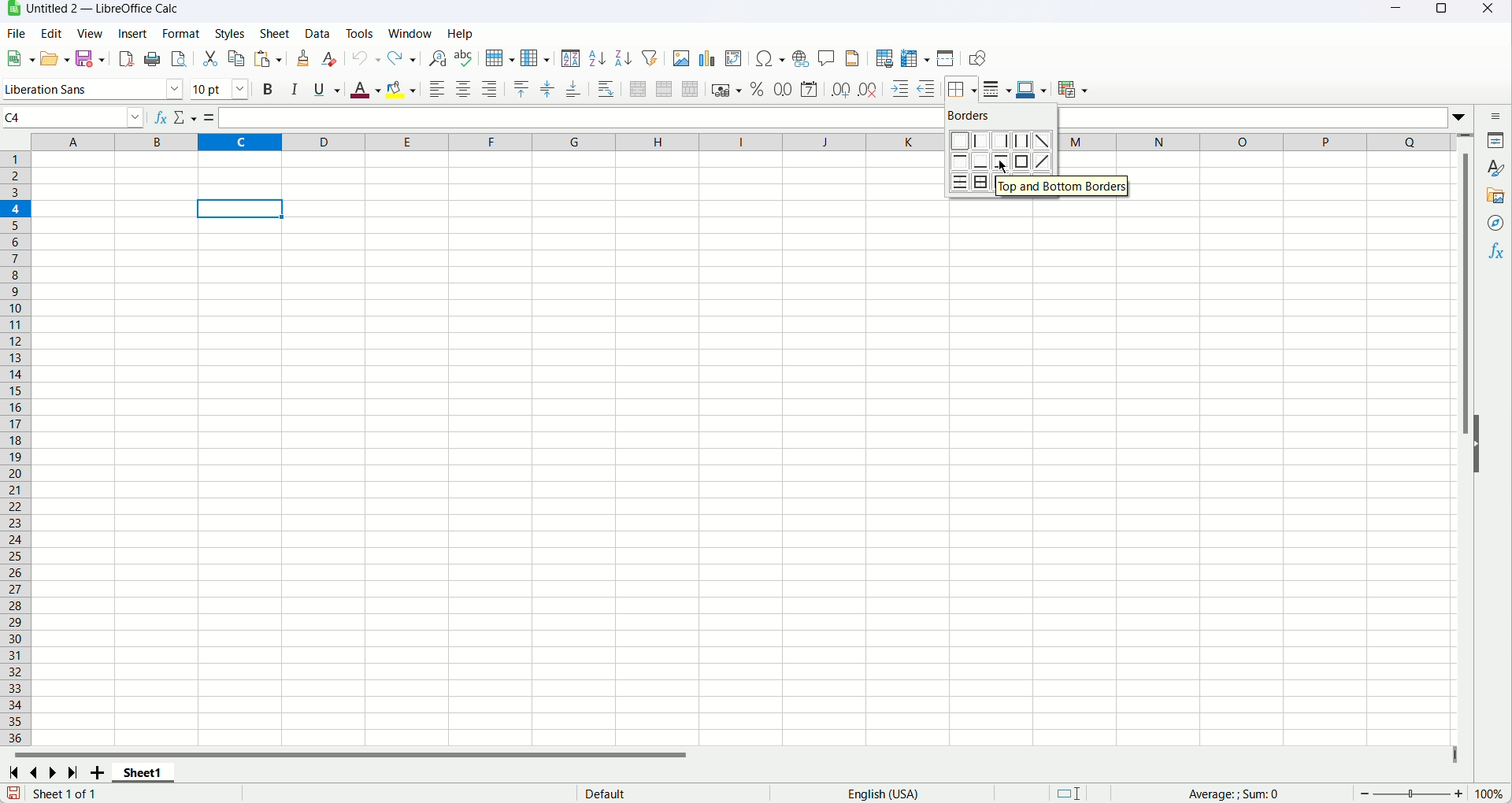  What do you see at coordinates (1467, 442) in the screenshot?
I see `Vertical scroll bar` at bounding box center [1467, 442].